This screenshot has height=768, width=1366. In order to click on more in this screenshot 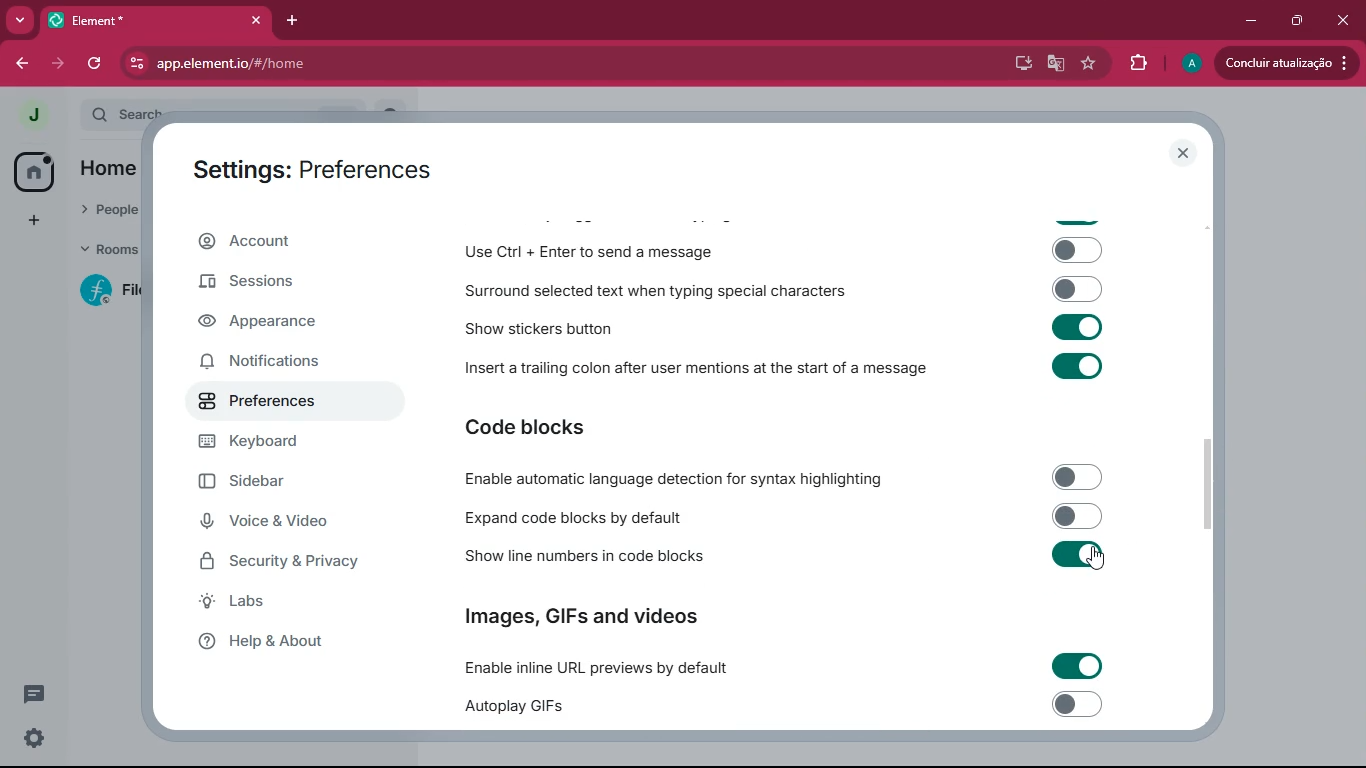, I will do `click(34, 222)`.